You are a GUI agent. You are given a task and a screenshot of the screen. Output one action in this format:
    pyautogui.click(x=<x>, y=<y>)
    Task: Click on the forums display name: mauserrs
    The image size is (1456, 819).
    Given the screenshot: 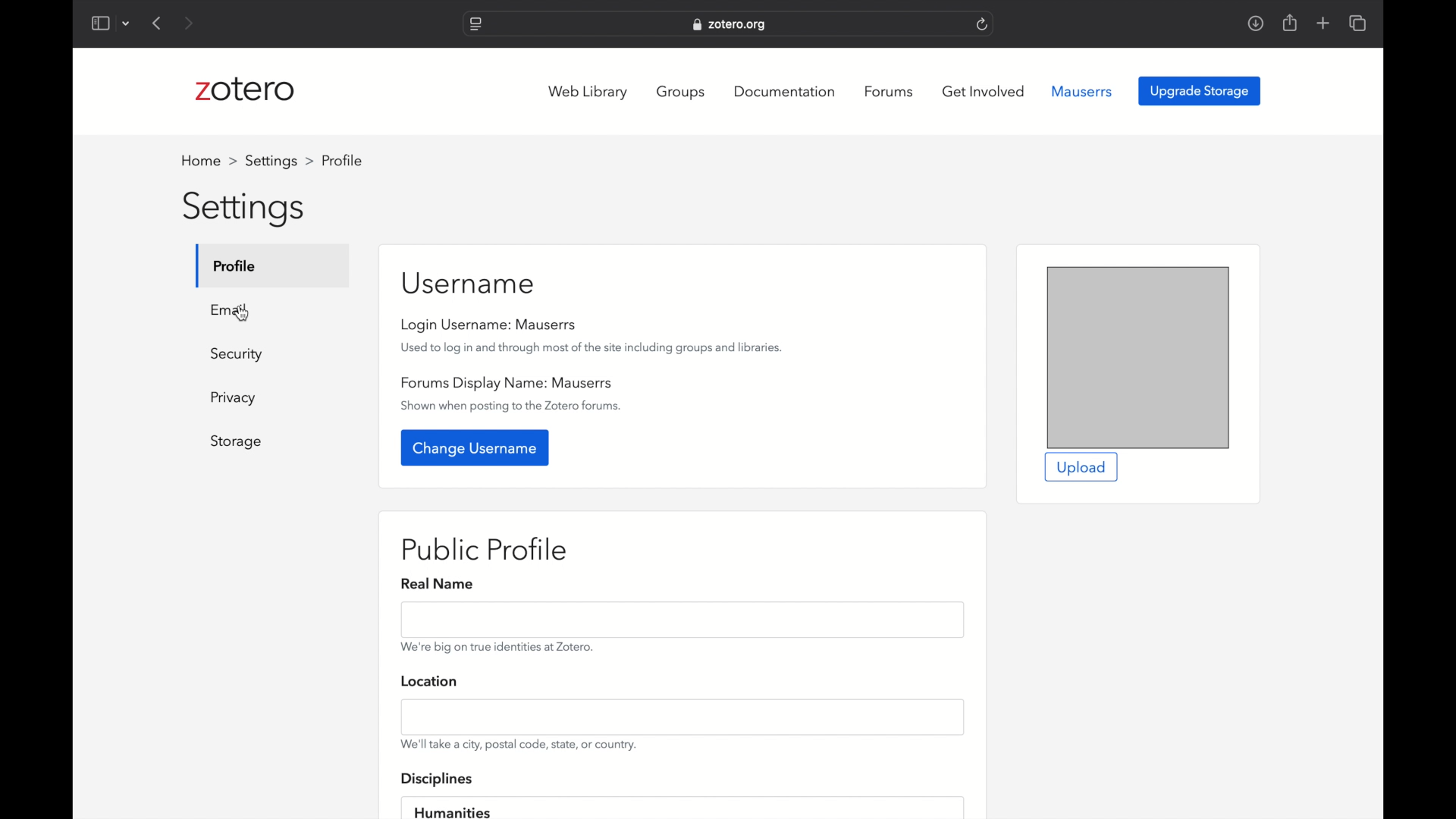 What is the action you would take?
    pyautogui.click(x=506, y=383)
    